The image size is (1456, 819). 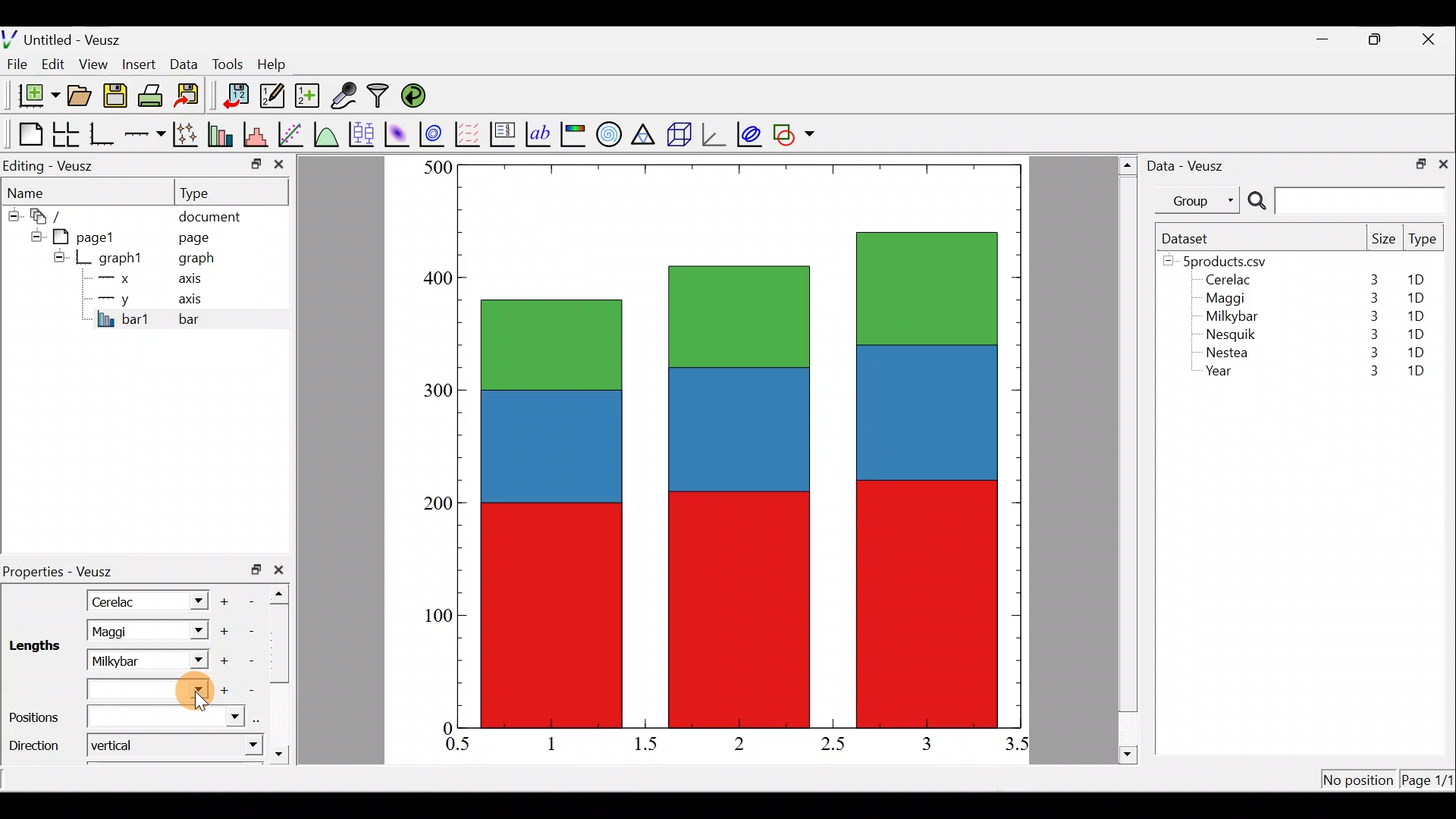 What do you see at coordinates (433, 620) in the screenshot?
I see `100` at bounding box center [433, 620].